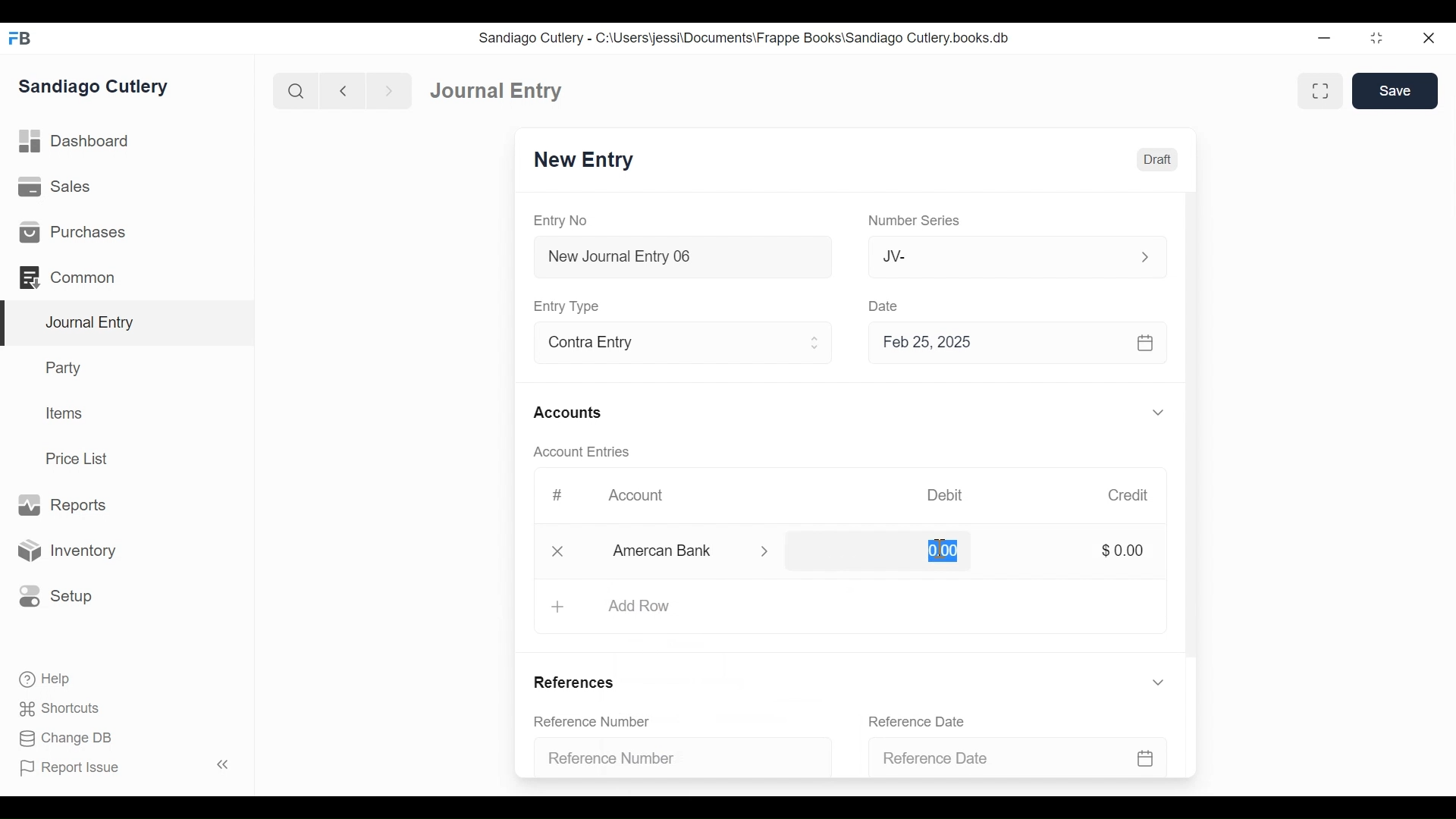  I want to click on Entry Type, so click(569, 306).